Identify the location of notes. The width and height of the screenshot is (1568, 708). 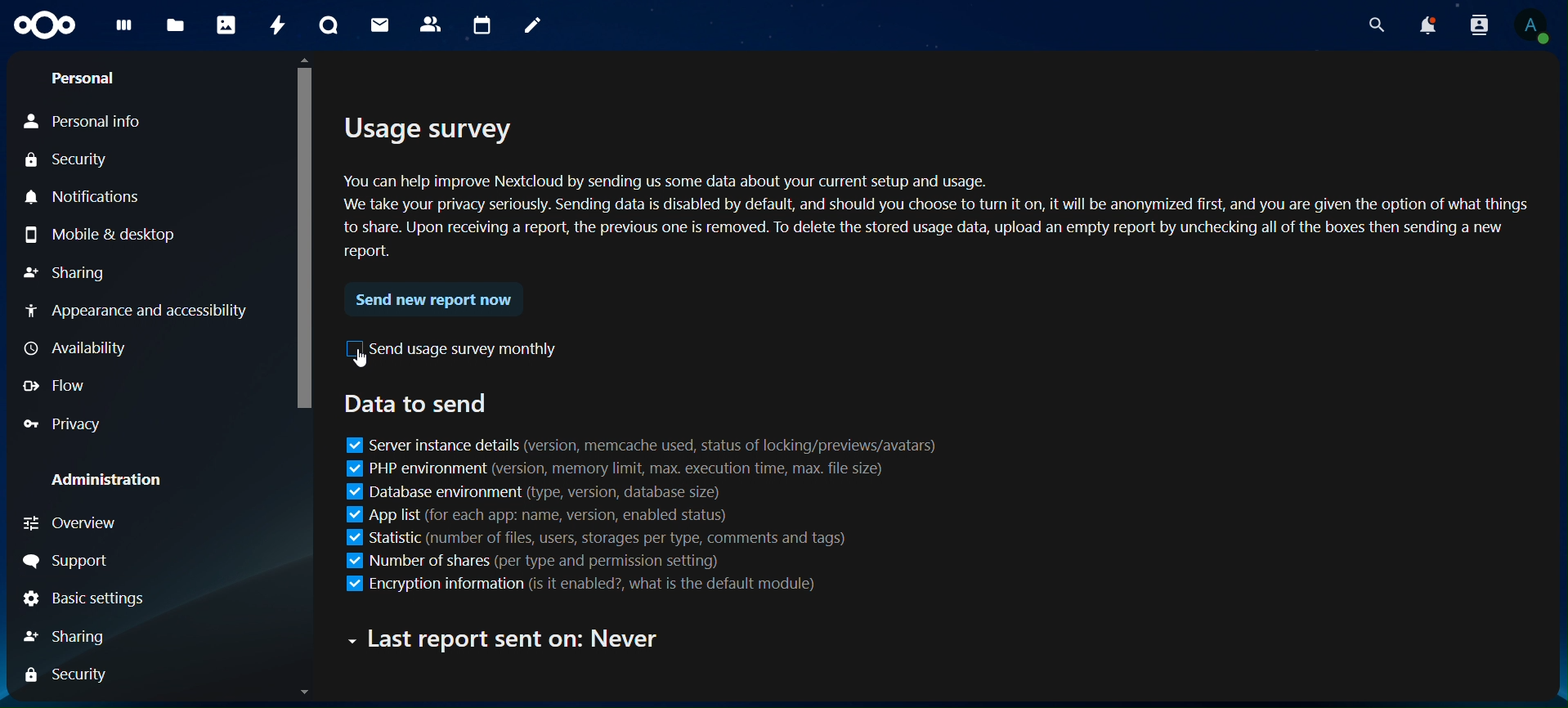
(531, 25).